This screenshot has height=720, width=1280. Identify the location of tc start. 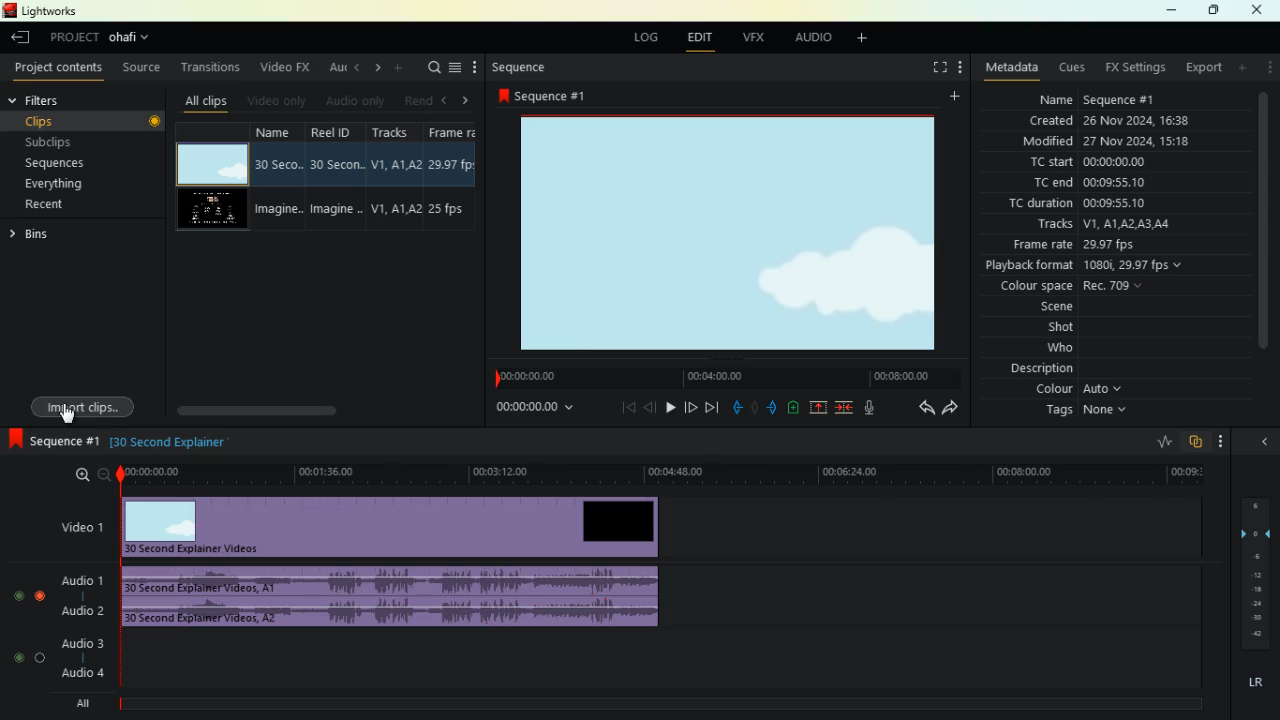
(1112, 161).